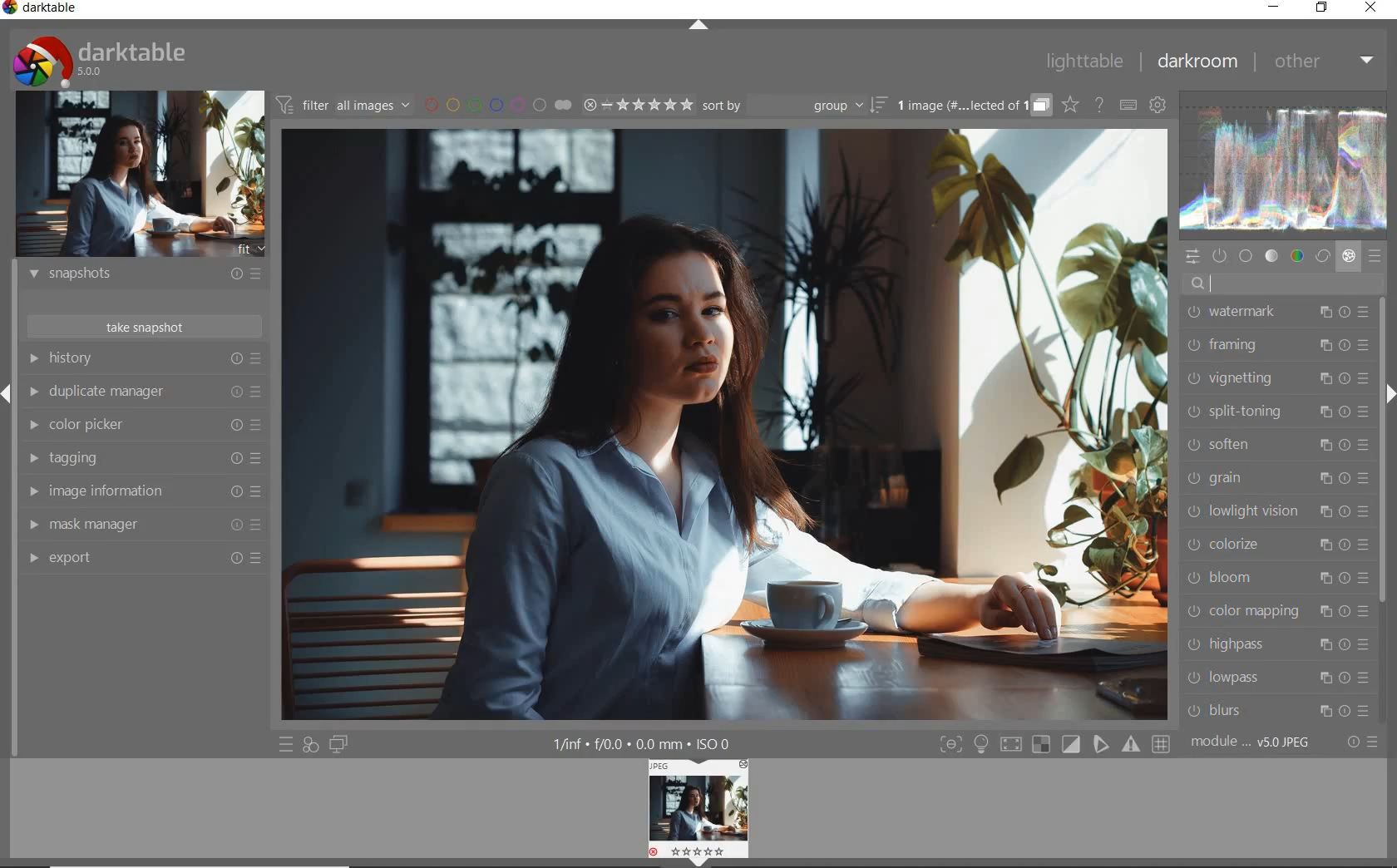 This screenshot has height=868, width=1397. Describe the element at coordinates (1282, 284) in the screenshot. I see `search modules by name` at that location.